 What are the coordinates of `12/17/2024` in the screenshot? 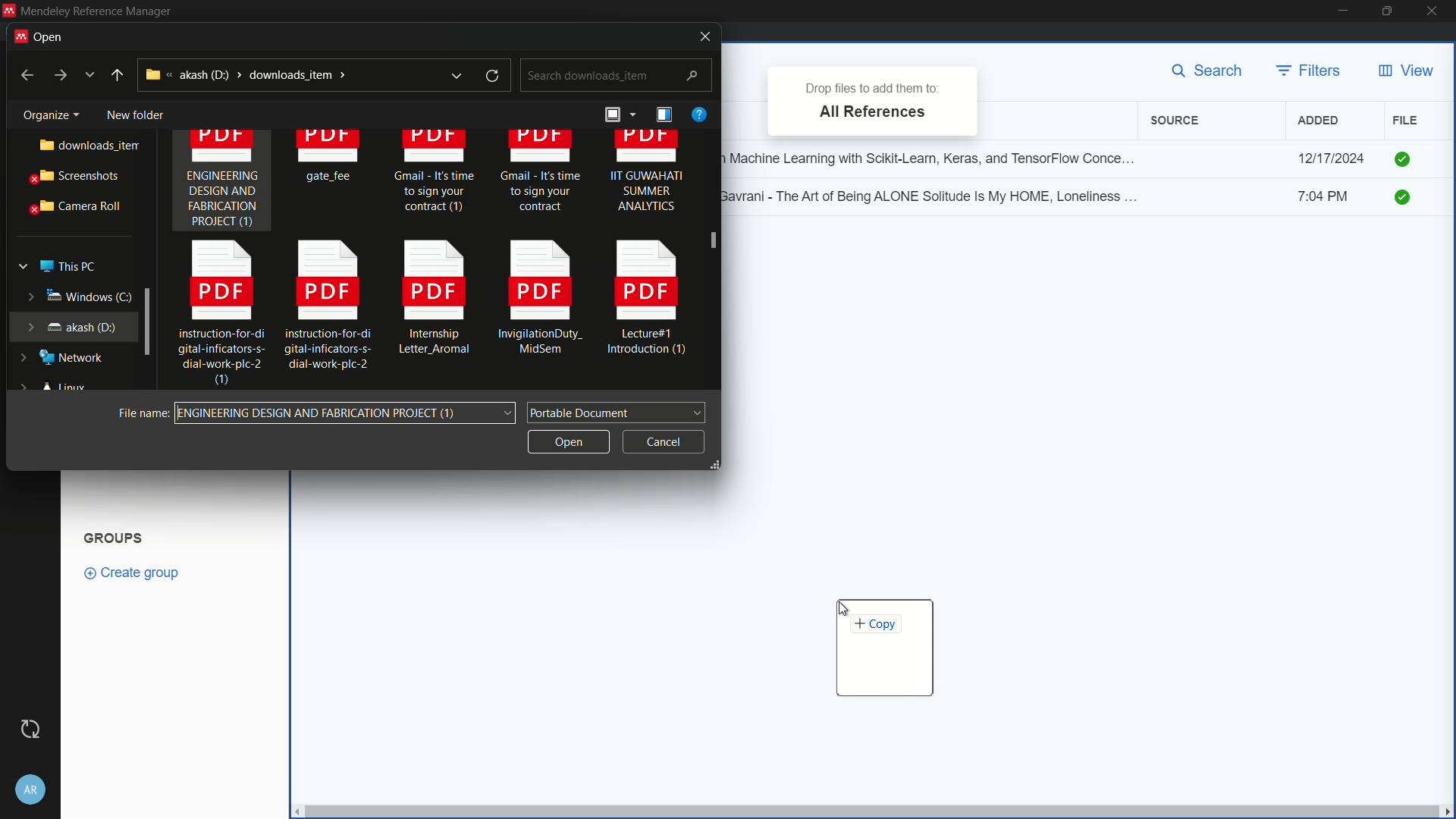 It's located at (1331, 158).